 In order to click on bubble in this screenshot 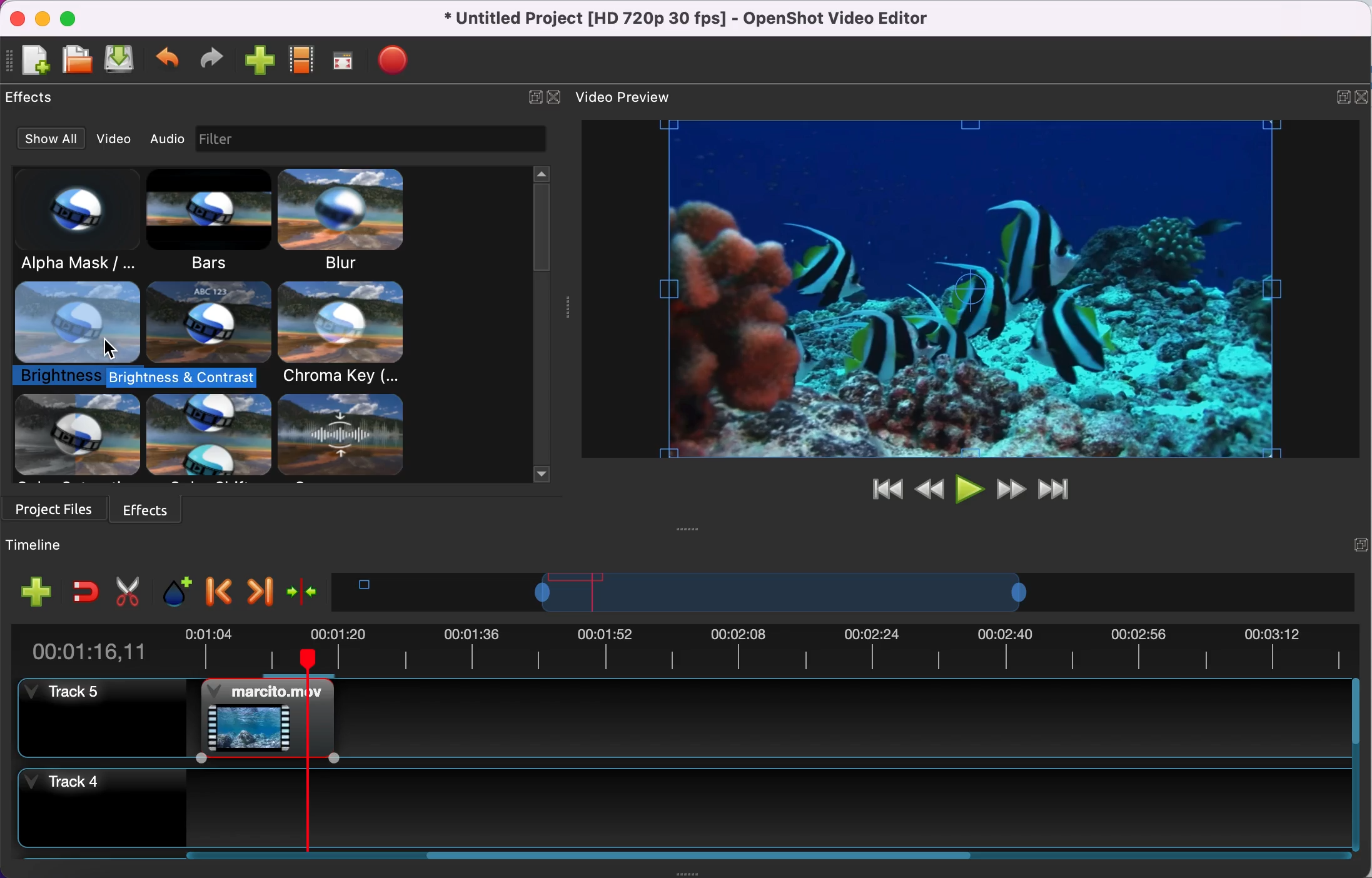, I will do `click(208, 322)`.